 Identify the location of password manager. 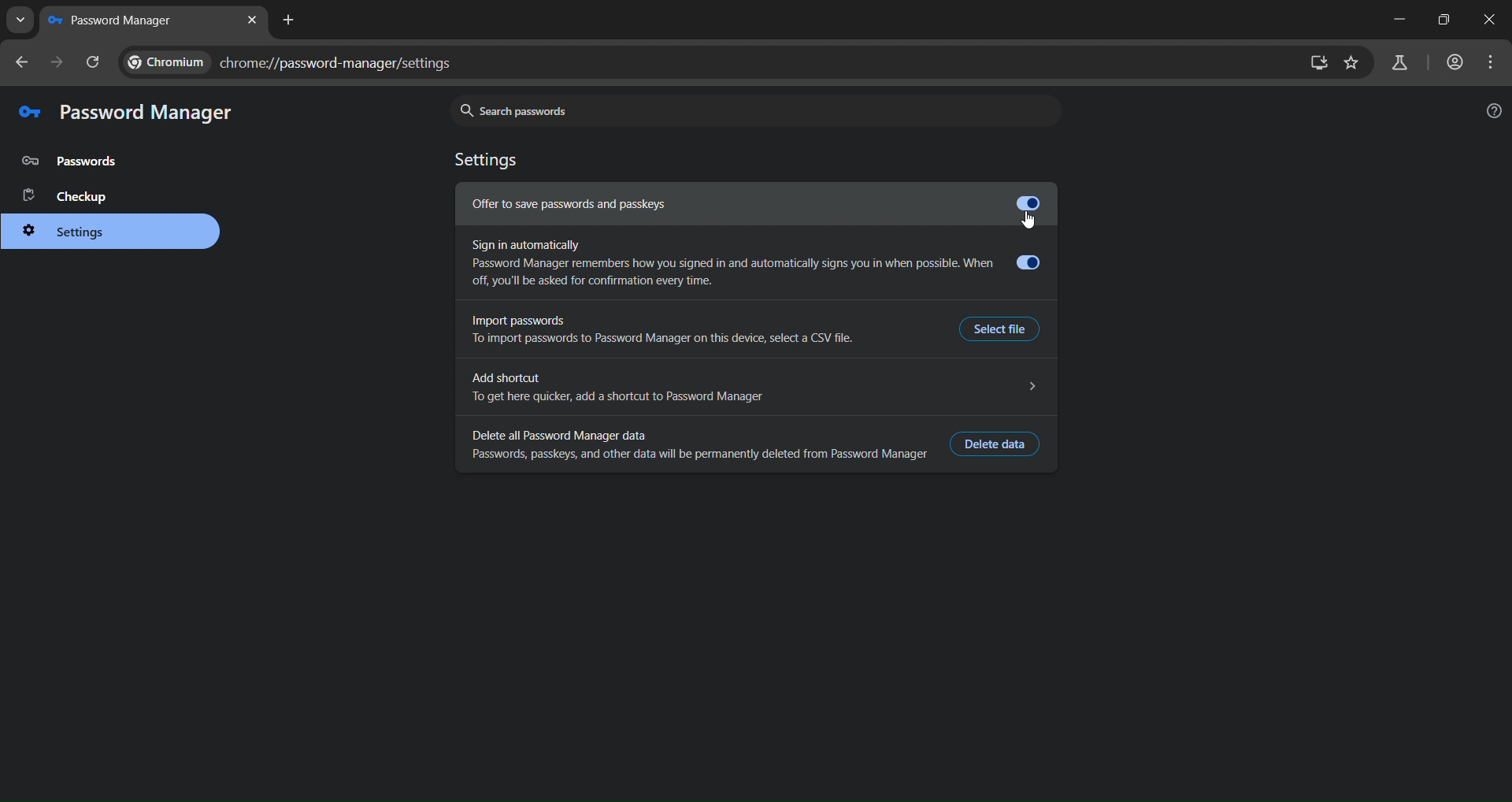
(124, 112).